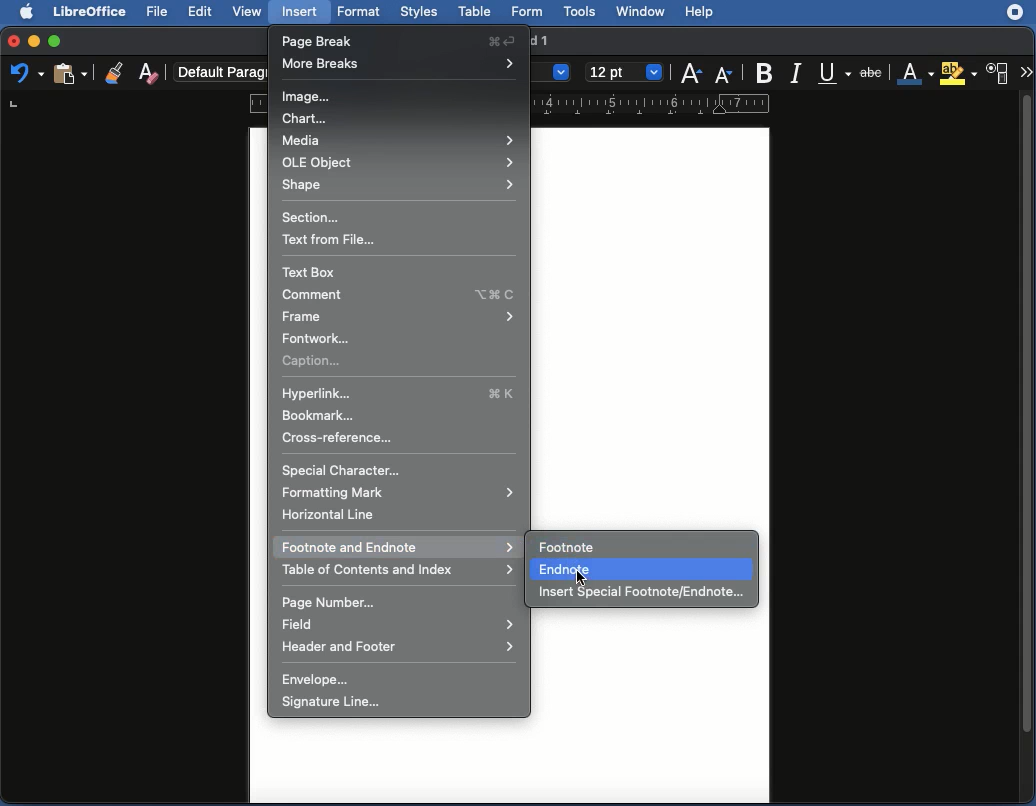  I want to click on drop down, so click(561, 74).